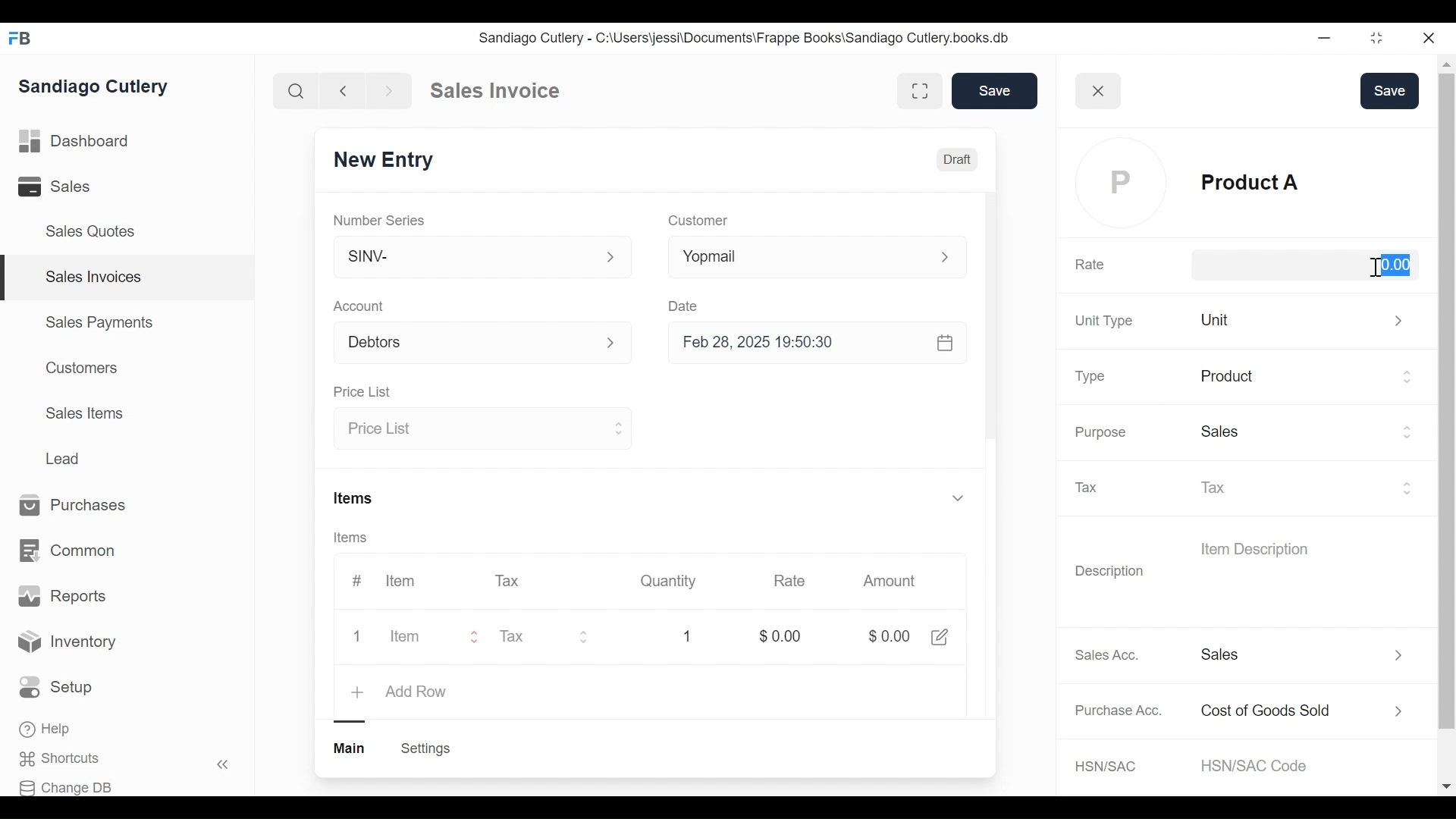 The width and height of the screenshot is (1456, 819). Describe the element at coordinates (1119, 710) in the screenshot. I see `Purchase Acc.` at that location.